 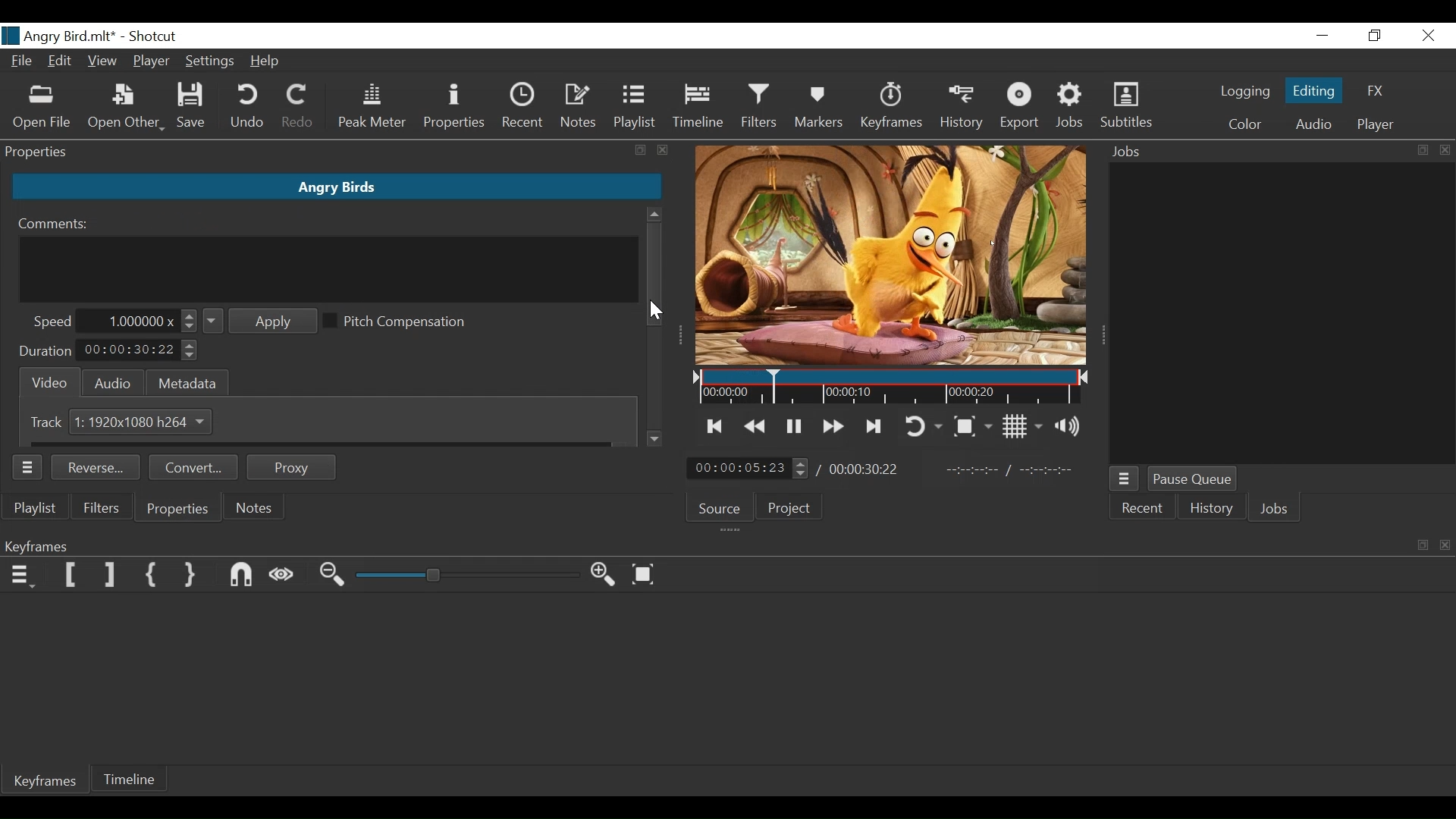 I want to click on Pause Queue, so click(x=1193, y=479).